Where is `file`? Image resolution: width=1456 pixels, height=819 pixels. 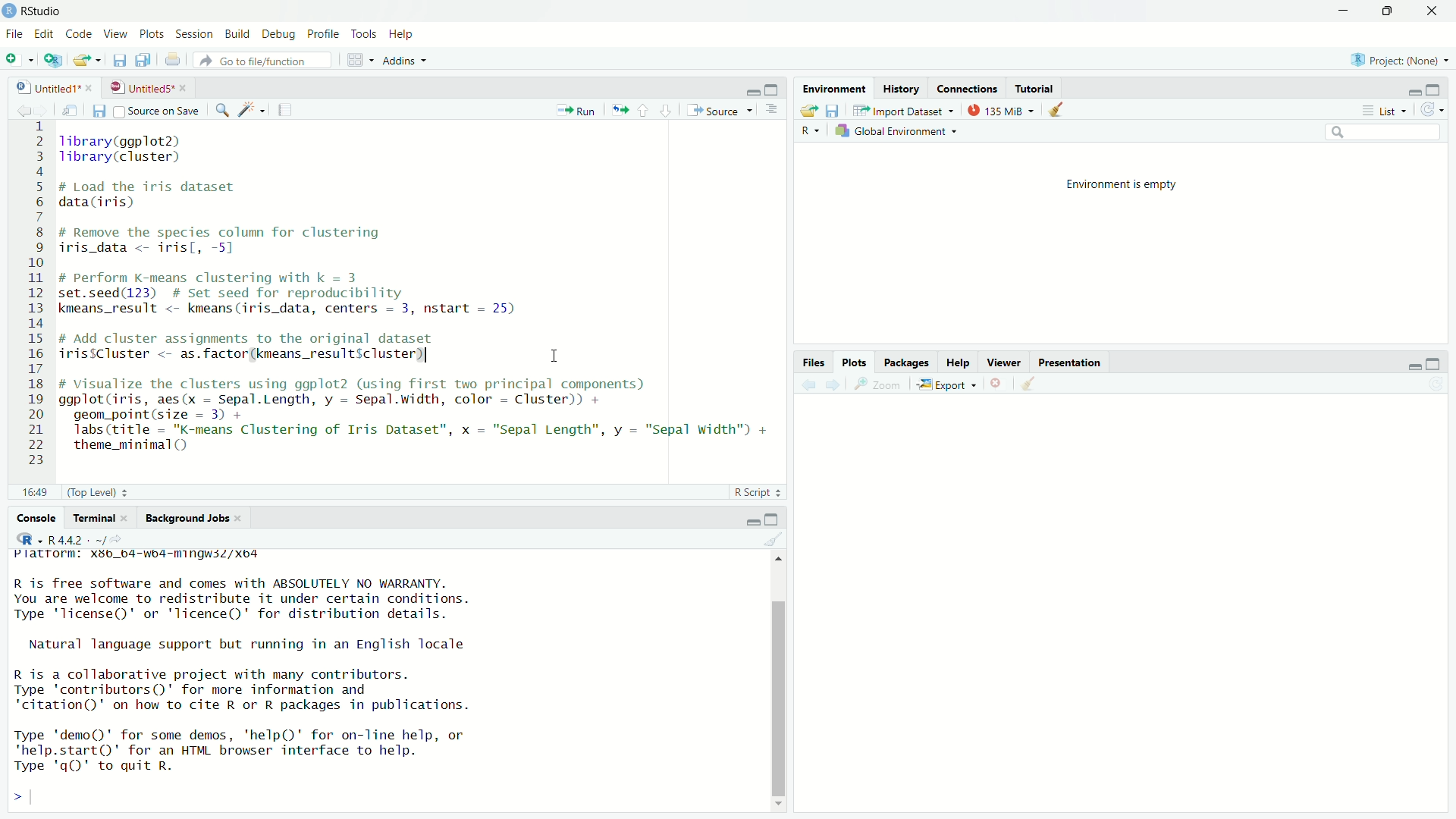 file is located at coordinates (14, 33).